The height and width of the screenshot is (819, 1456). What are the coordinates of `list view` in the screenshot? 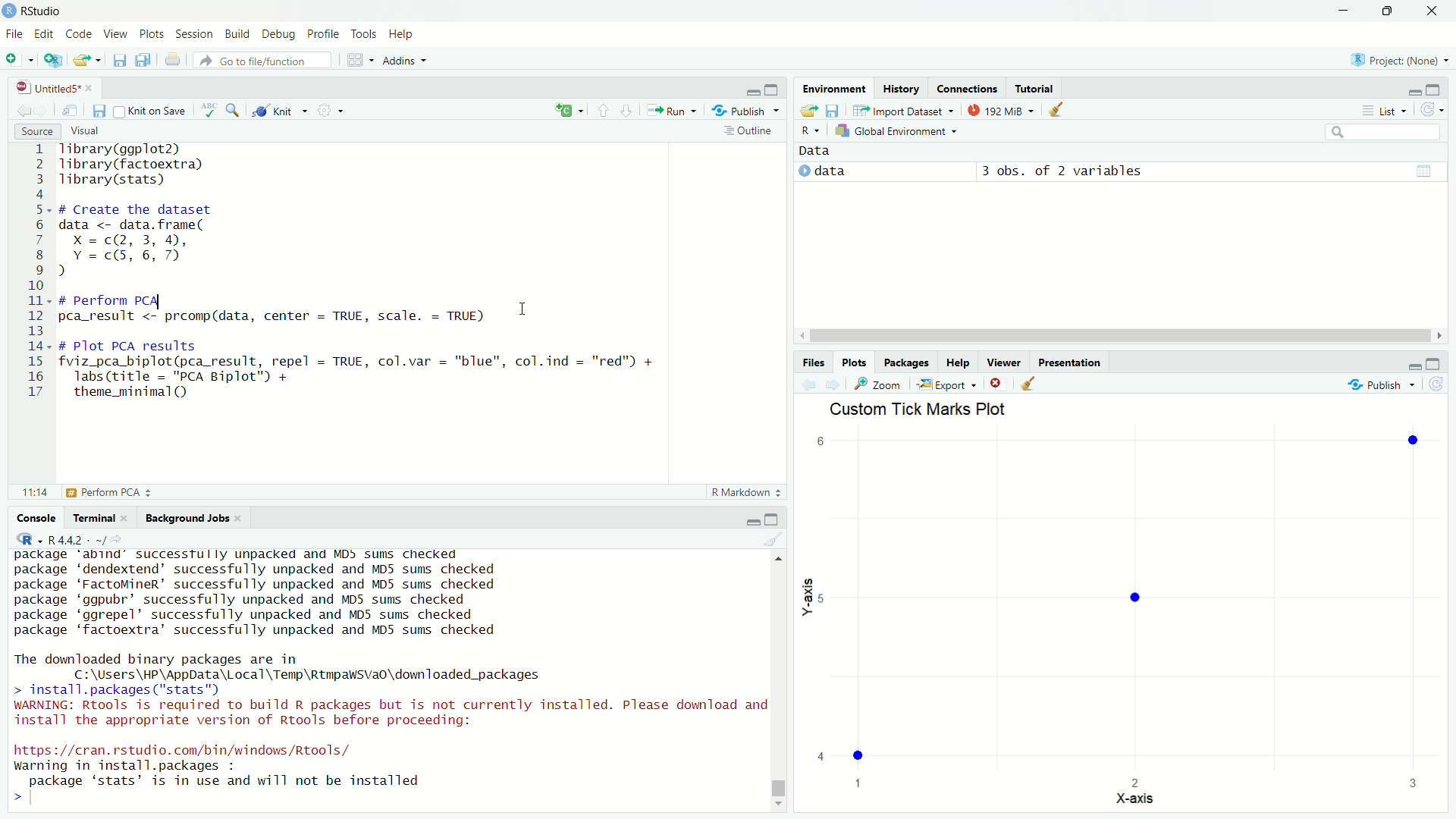 It's located at (1384, 110).